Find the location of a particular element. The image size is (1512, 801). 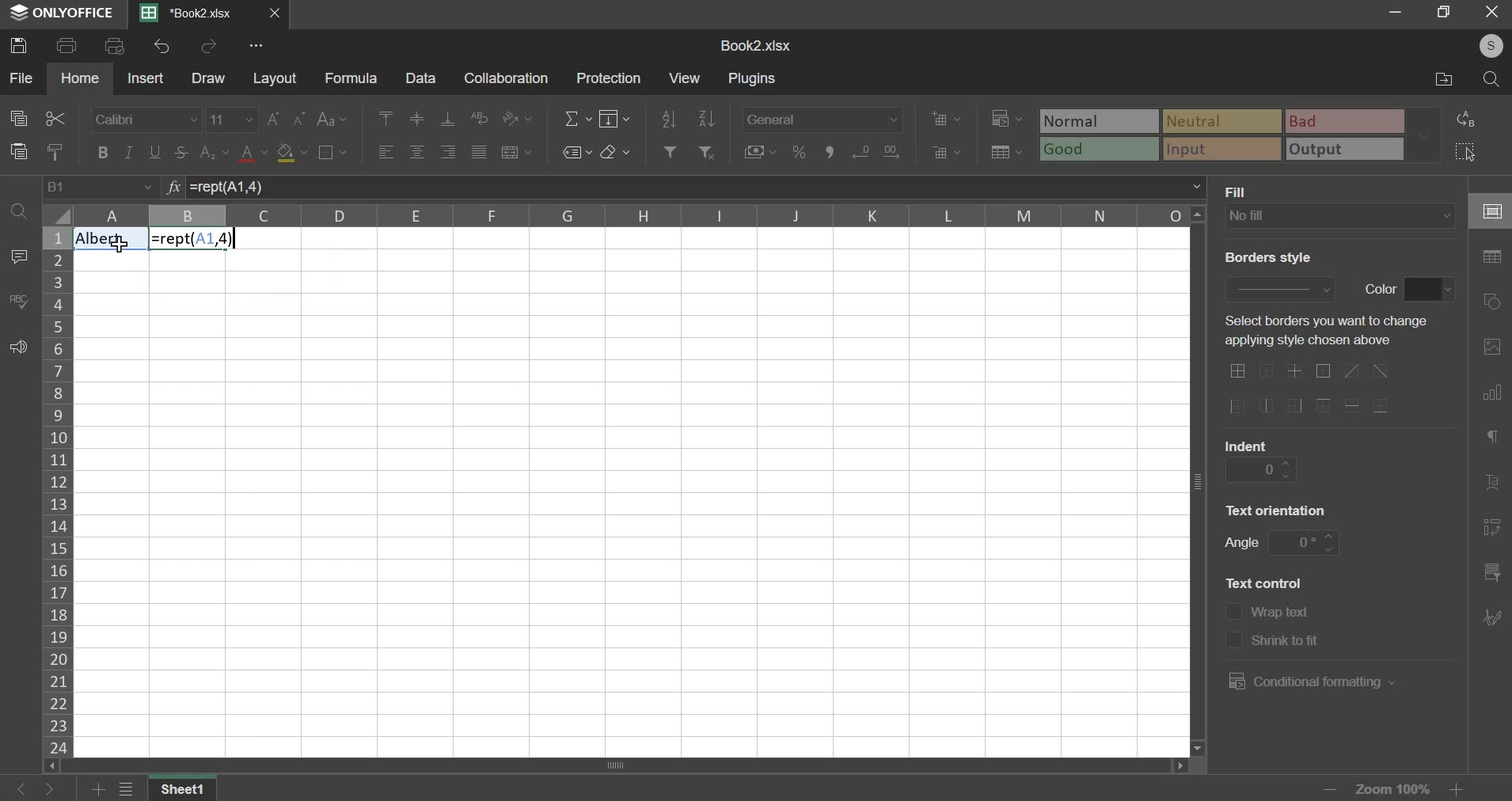

fill is located at coordinates (614, 119).